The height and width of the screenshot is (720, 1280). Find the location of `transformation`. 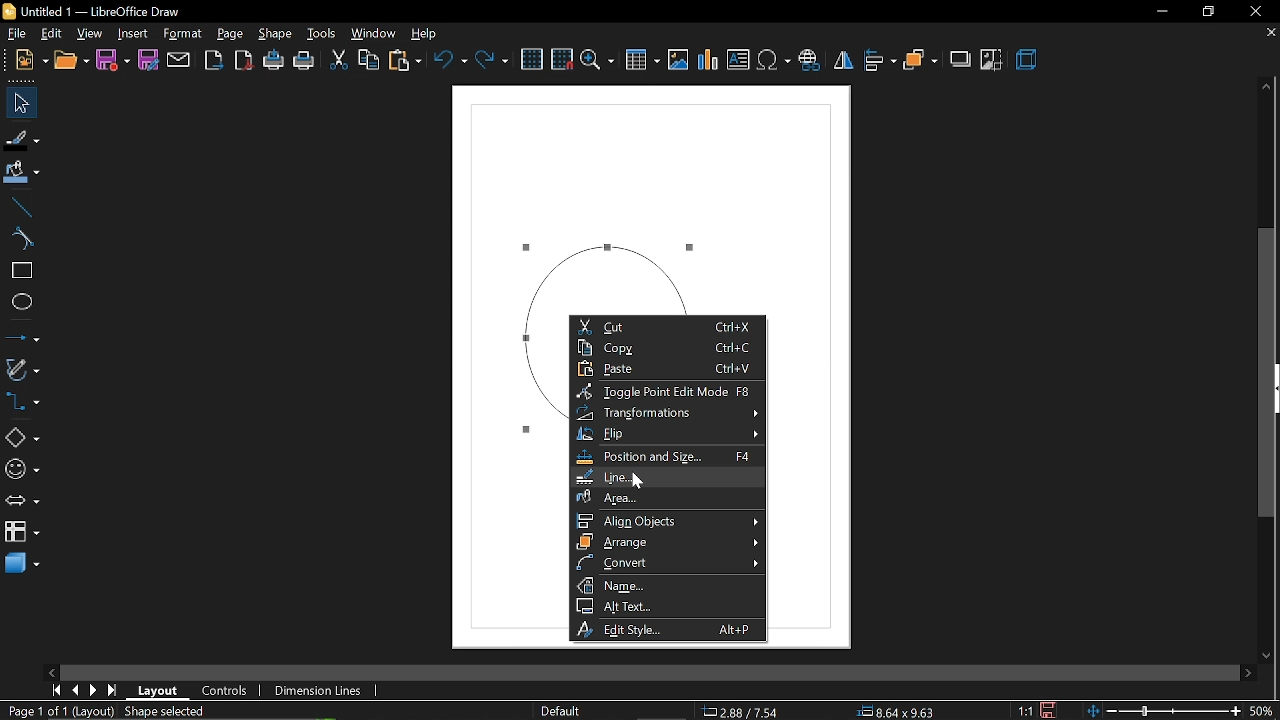

transformation is located at coordinates (668, 413).